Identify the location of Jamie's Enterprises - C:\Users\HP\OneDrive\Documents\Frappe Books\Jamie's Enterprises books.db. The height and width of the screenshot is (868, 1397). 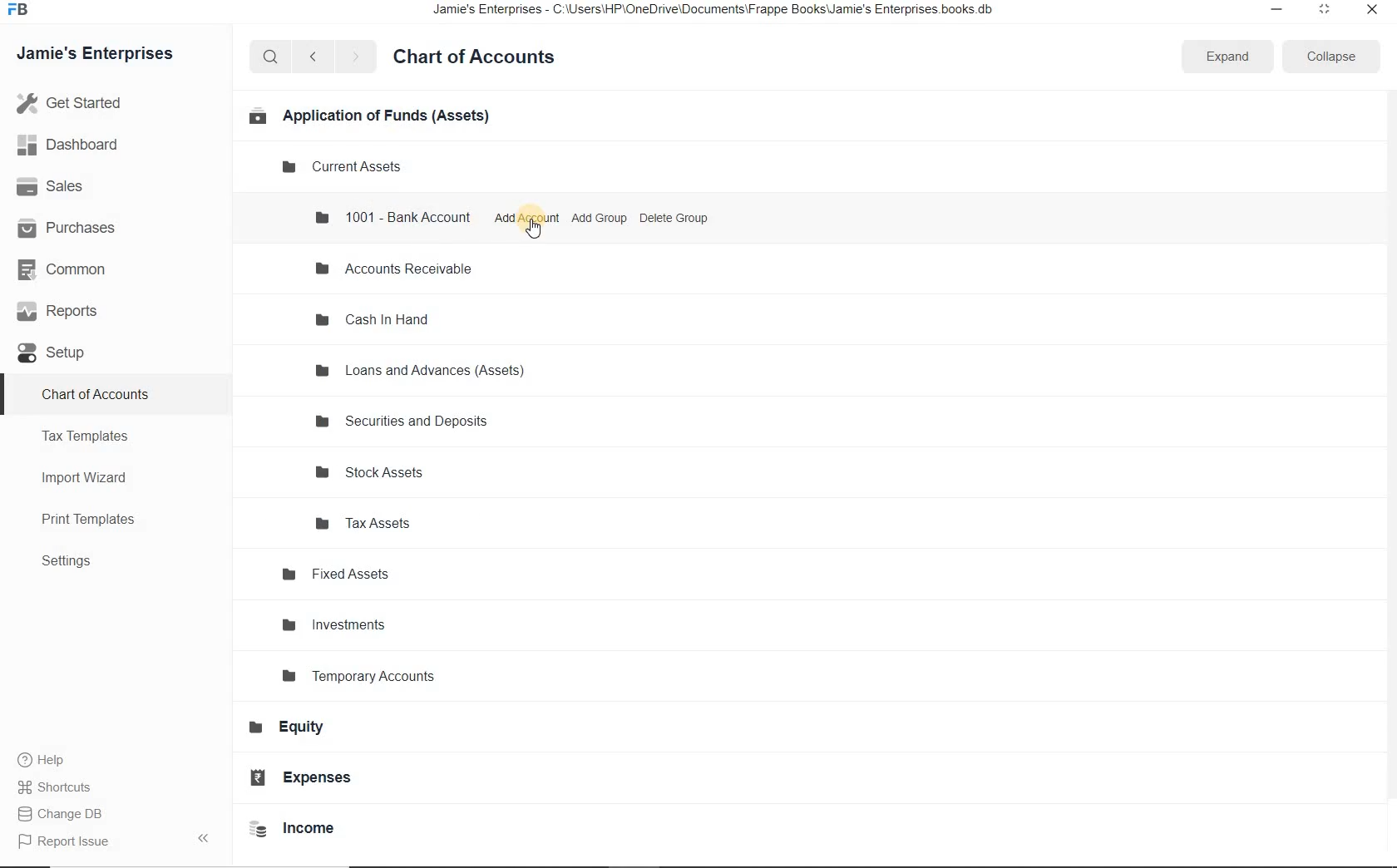
(728, 12).